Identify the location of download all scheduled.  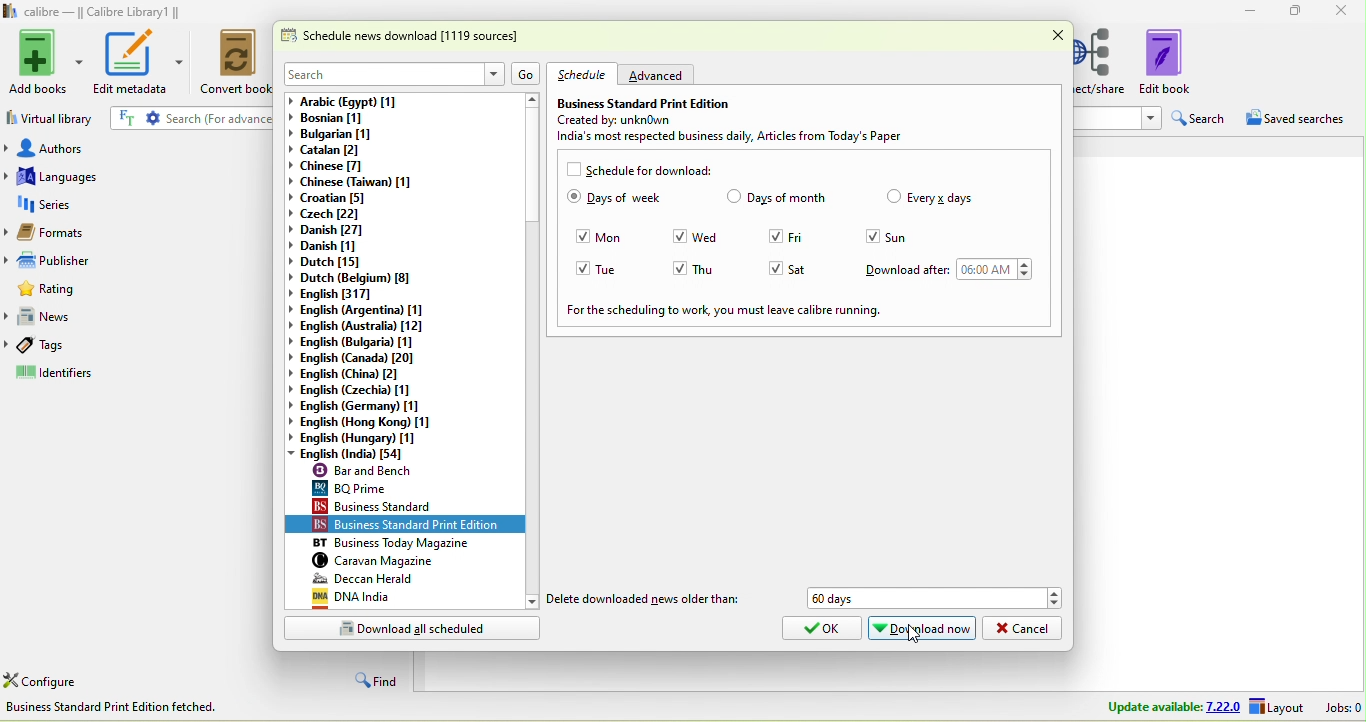
(414, 629).